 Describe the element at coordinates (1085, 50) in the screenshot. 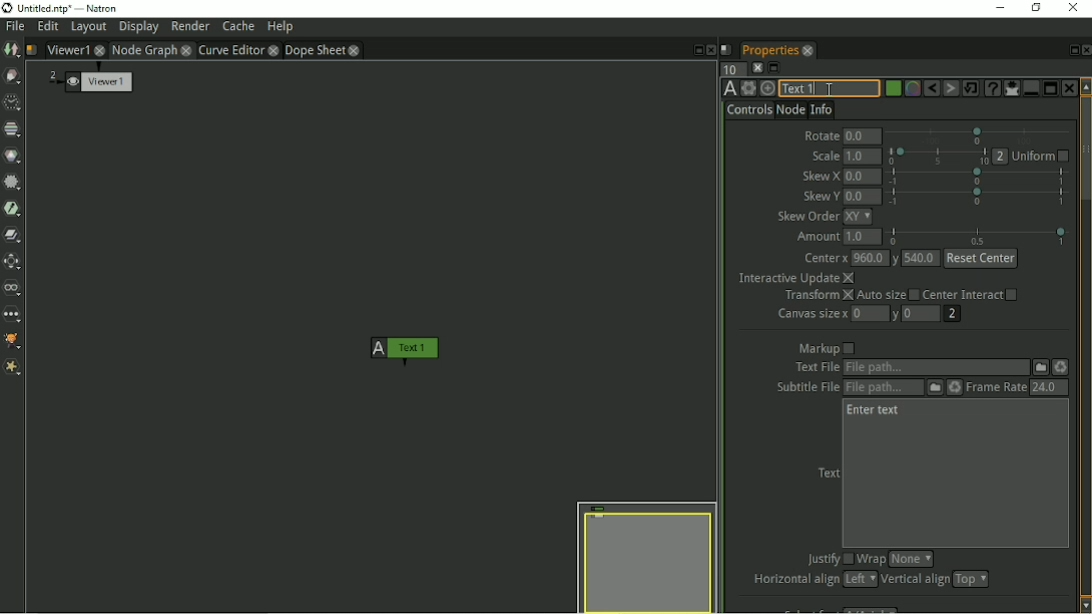

I see `Close` at that location.